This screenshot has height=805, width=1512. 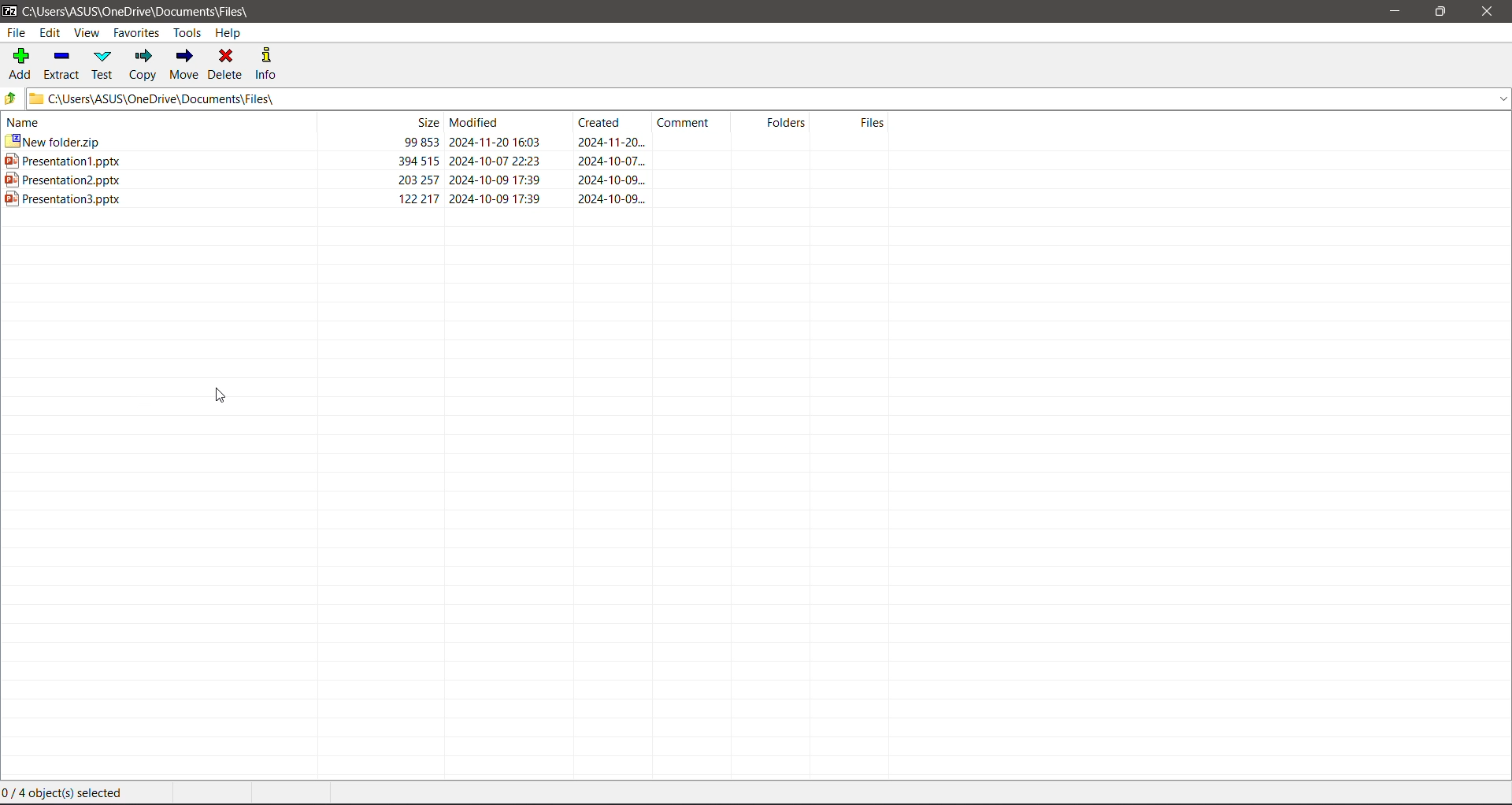 I want to click on created, so click(x=607, y=121).